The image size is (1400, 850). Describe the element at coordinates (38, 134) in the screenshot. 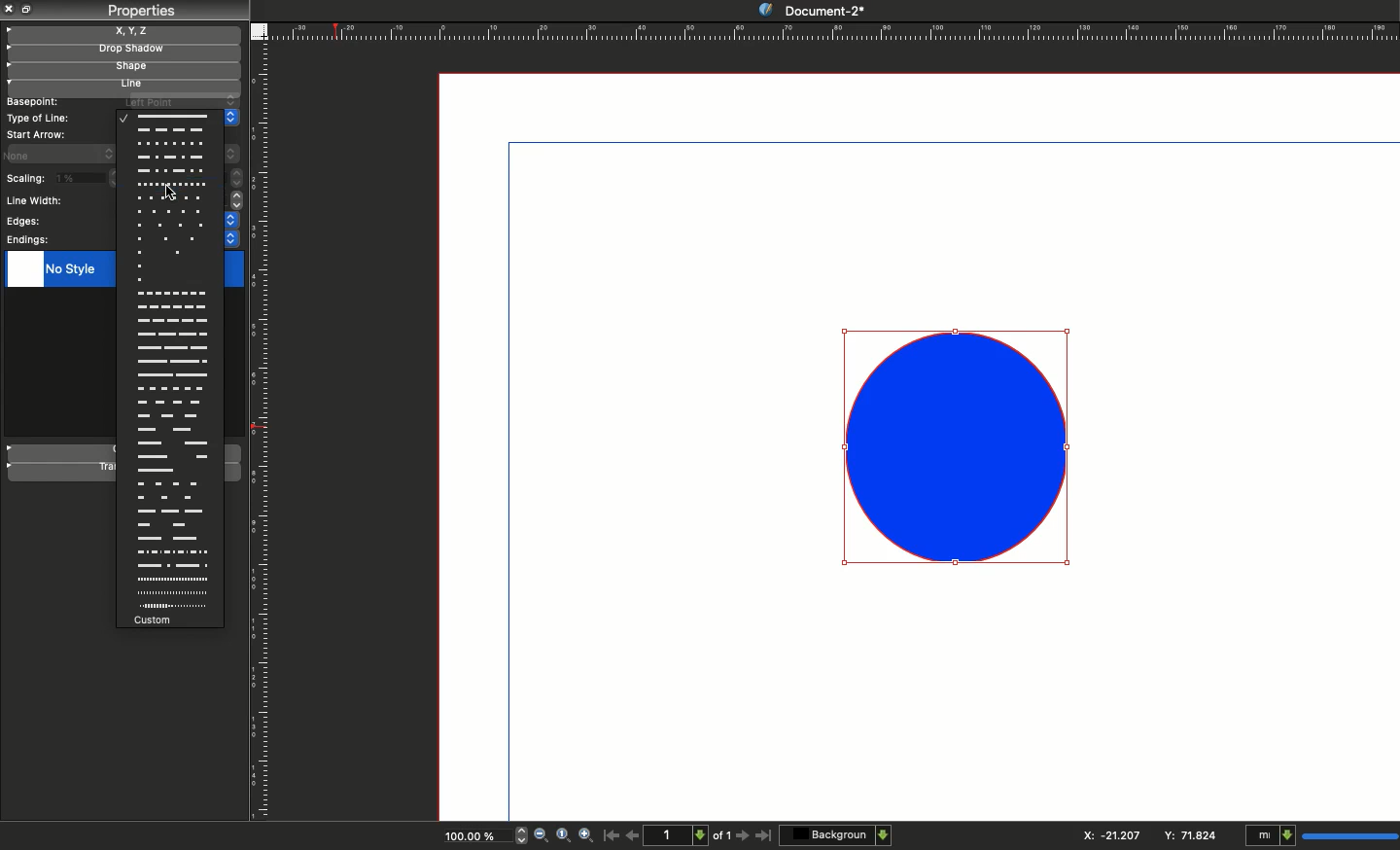

I see `Start arrow` at that location.